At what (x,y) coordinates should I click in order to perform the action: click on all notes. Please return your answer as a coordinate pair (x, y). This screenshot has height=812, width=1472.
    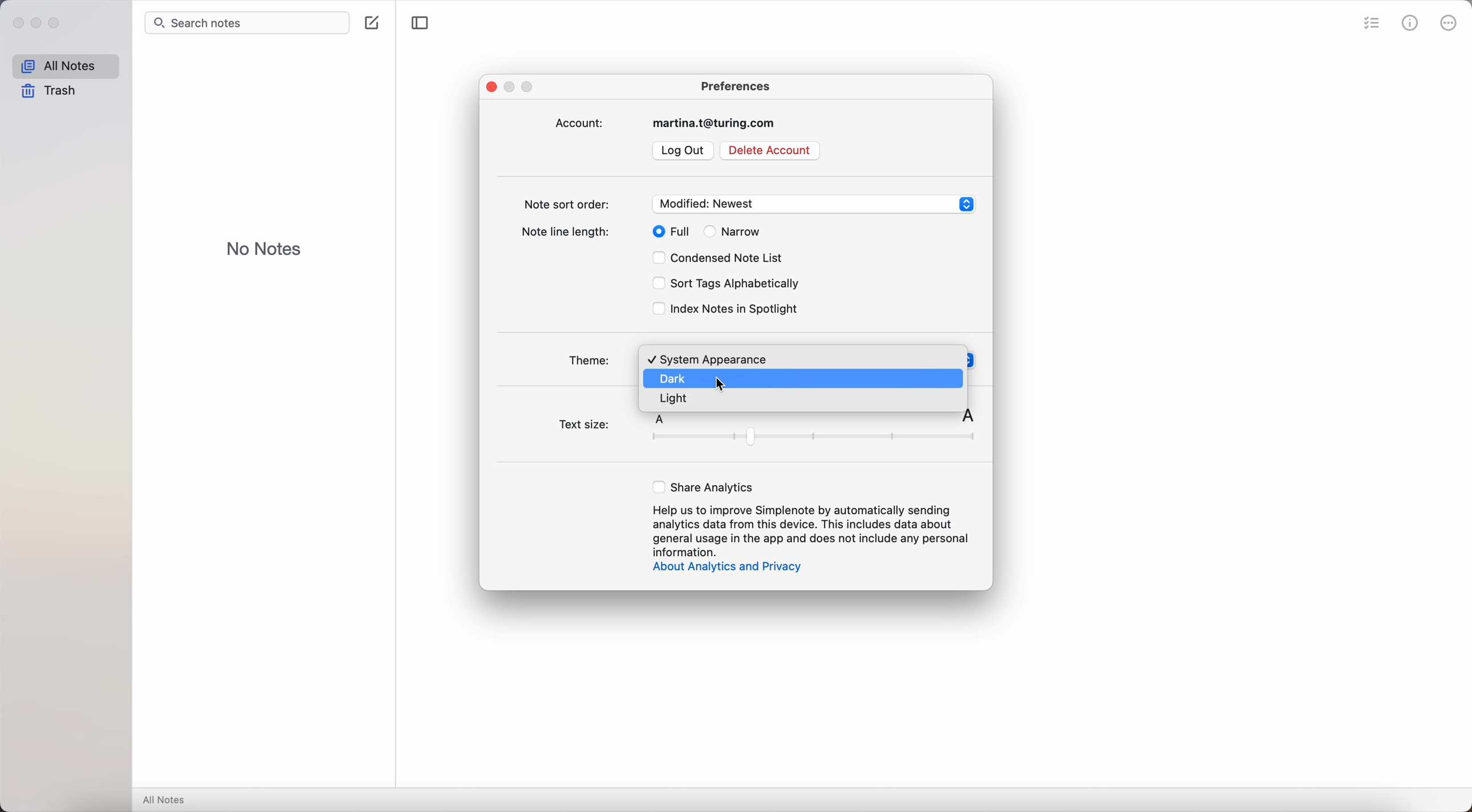
    Looking at the image, I should click on (167, 799).